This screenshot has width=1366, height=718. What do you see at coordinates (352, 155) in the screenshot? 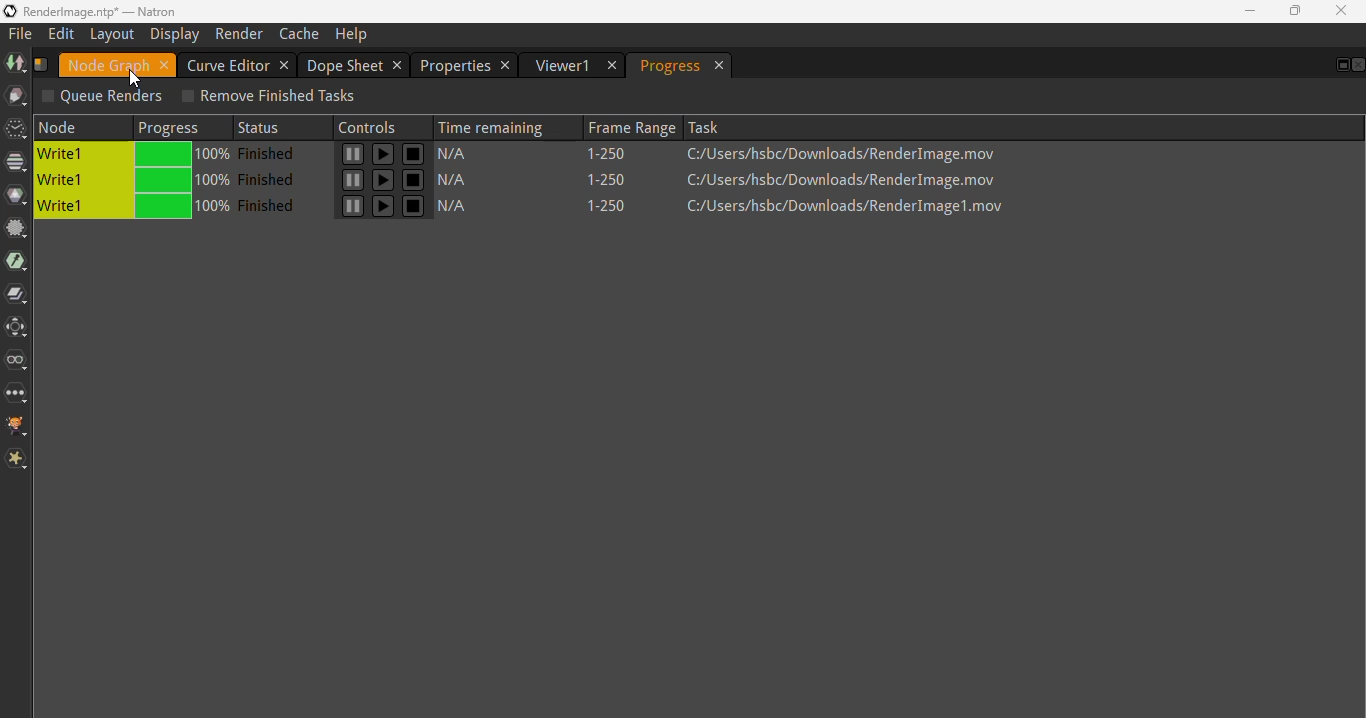
I see `play` at bounding box center [352, 155].